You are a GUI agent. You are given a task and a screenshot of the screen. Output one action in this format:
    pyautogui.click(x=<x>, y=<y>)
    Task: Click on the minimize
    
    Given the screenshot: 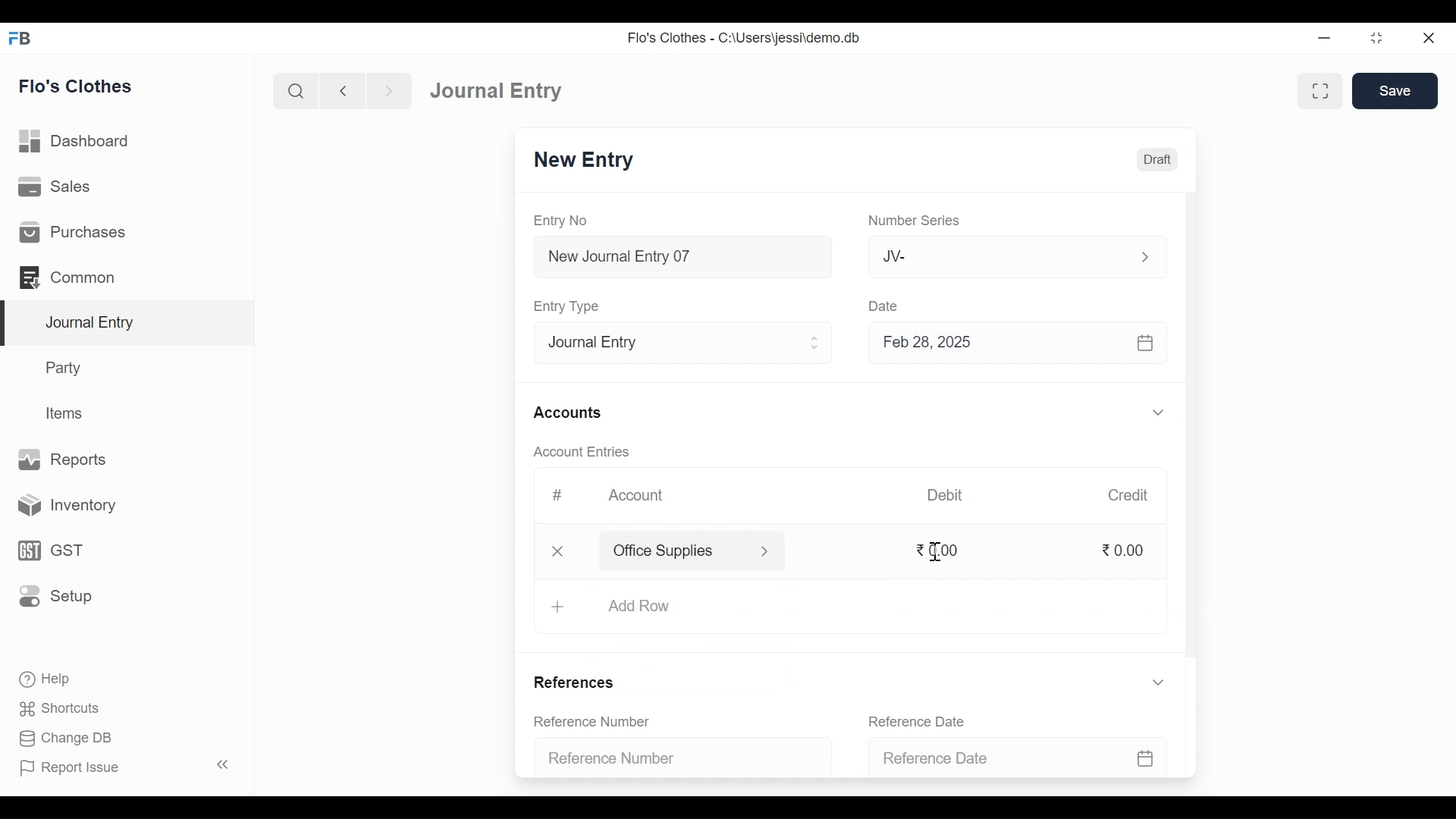 What is the action you would take?
    pyautogui.click(x=1324, y=39)
    